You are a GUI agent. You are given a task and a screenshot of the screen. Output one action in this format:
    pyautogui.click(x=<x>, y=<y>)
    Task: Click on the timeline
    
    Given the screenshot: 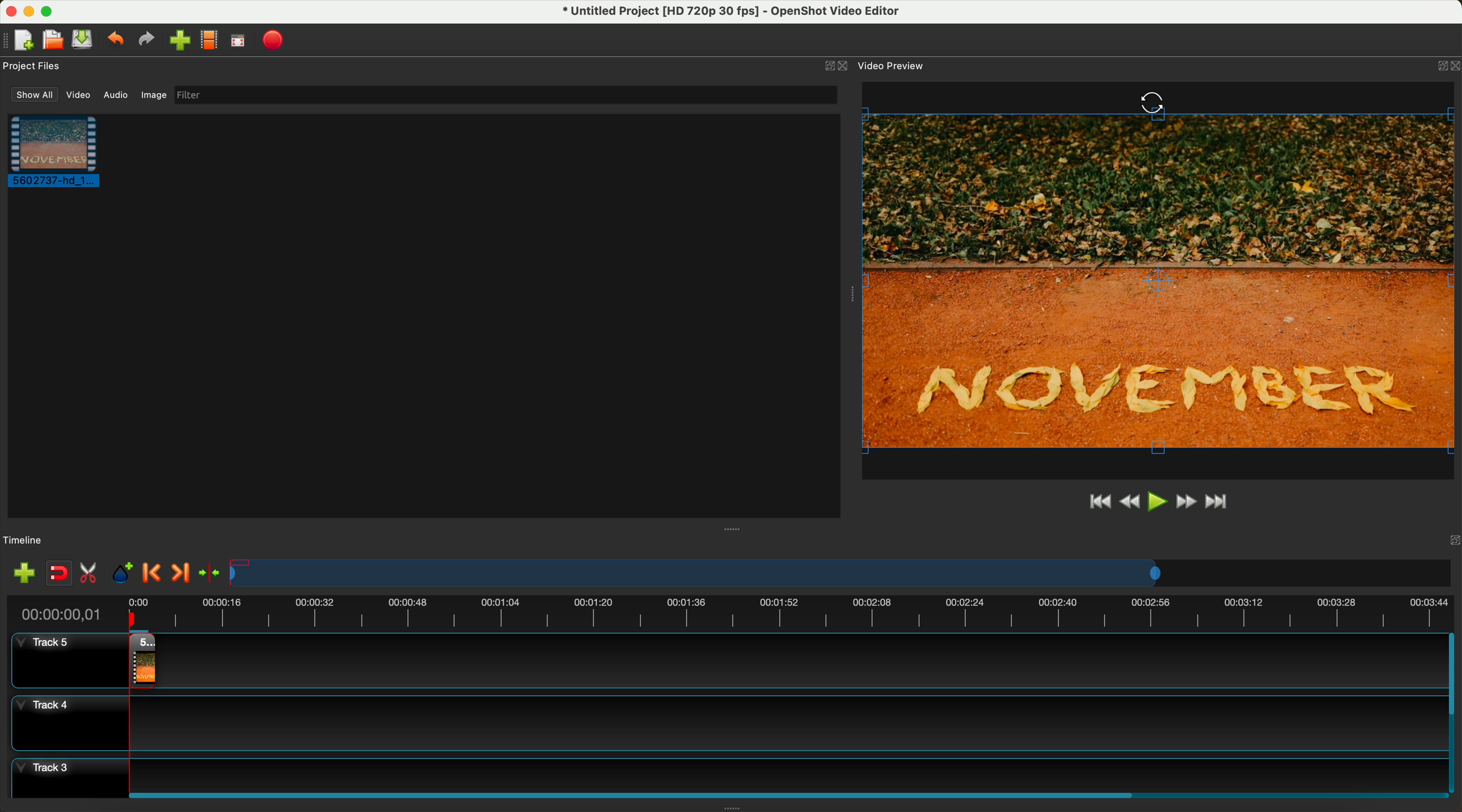 What is the action you would take?
    pyautogui.click(x=734, y=613)
    